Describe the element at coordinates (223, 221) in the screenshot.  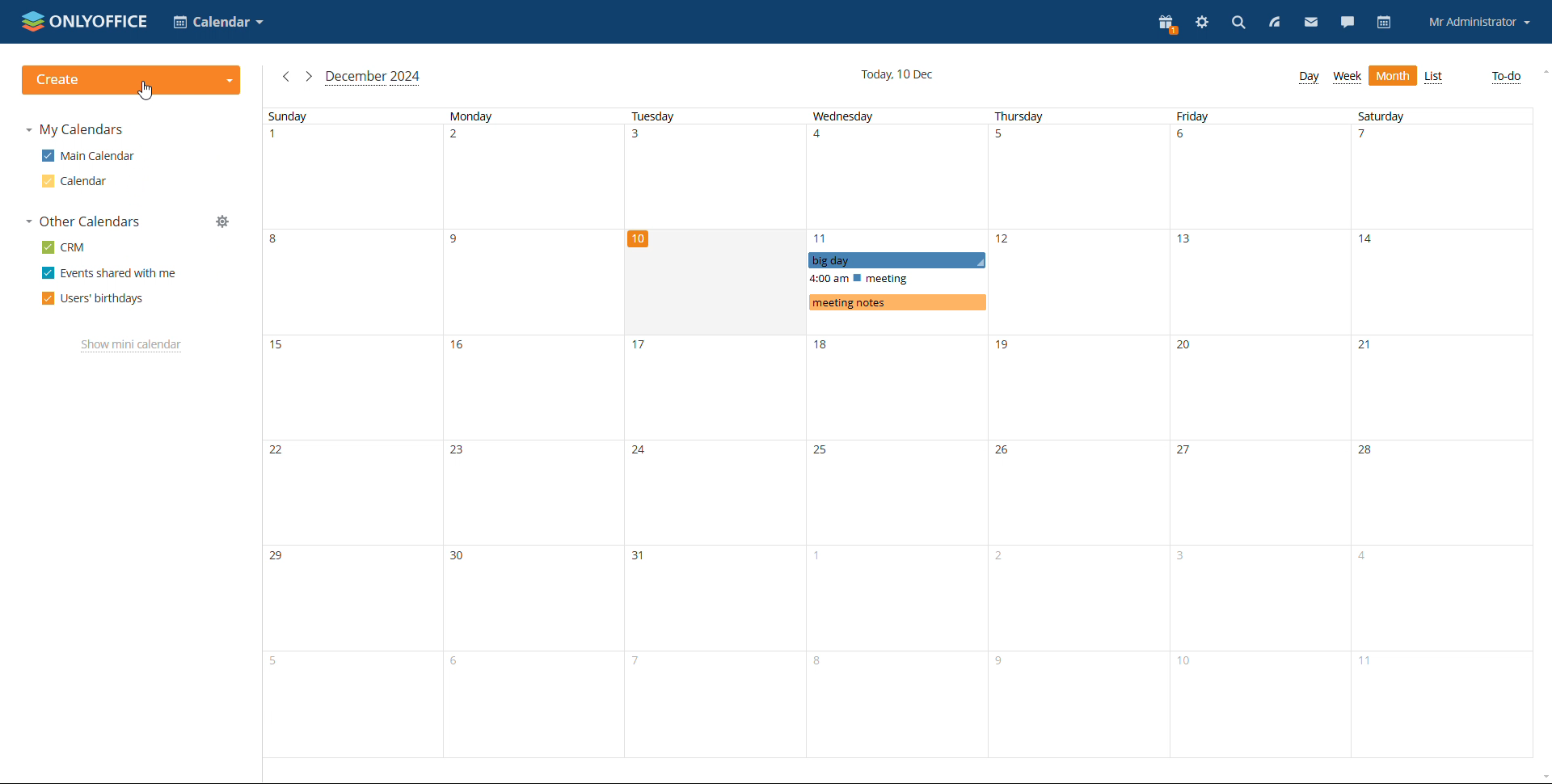
I see `manage` at that location.